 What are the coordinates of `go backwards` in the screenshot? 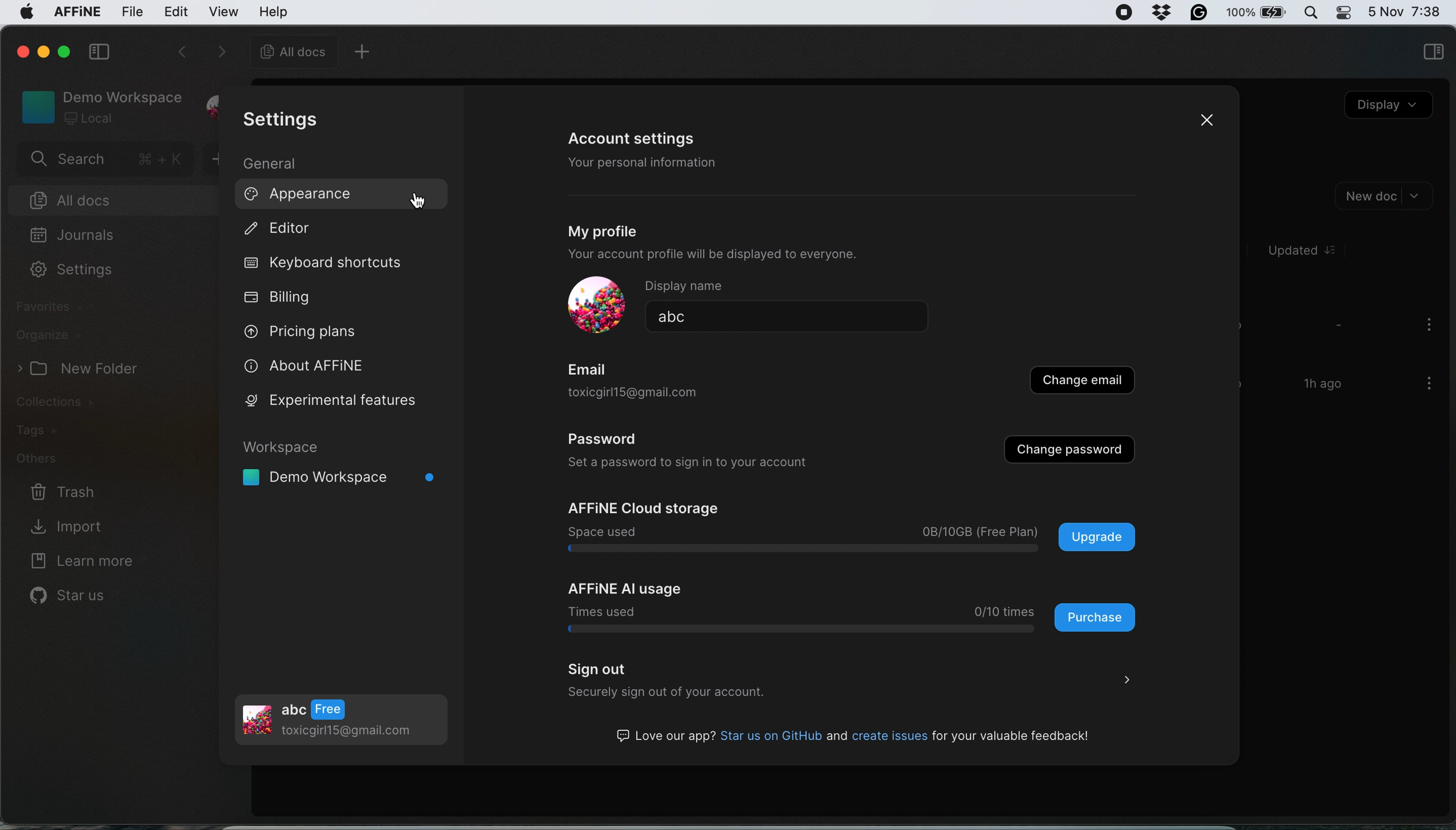 It's located at (181, 54).